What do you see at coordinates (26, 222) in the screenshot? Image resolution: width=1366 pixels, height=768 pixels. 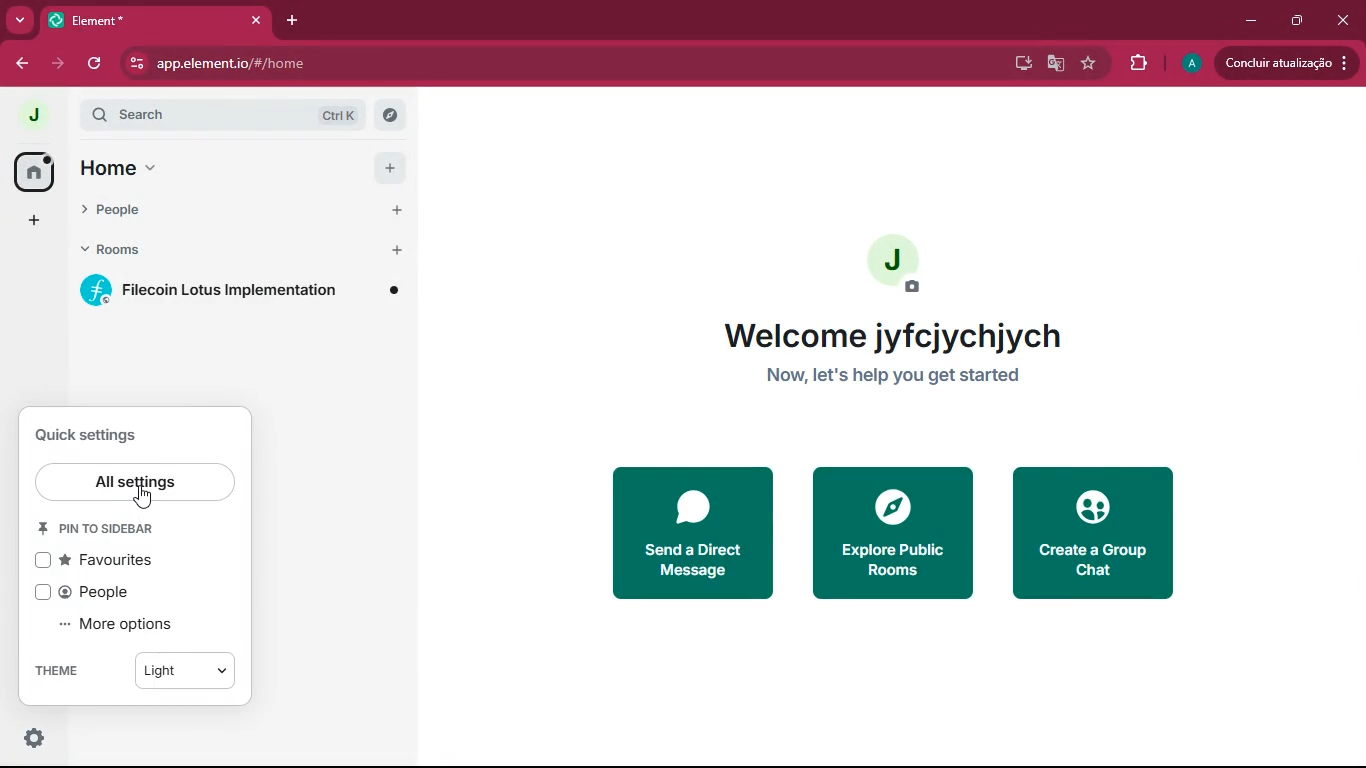 I see `add` at bounding box center [26, 222].